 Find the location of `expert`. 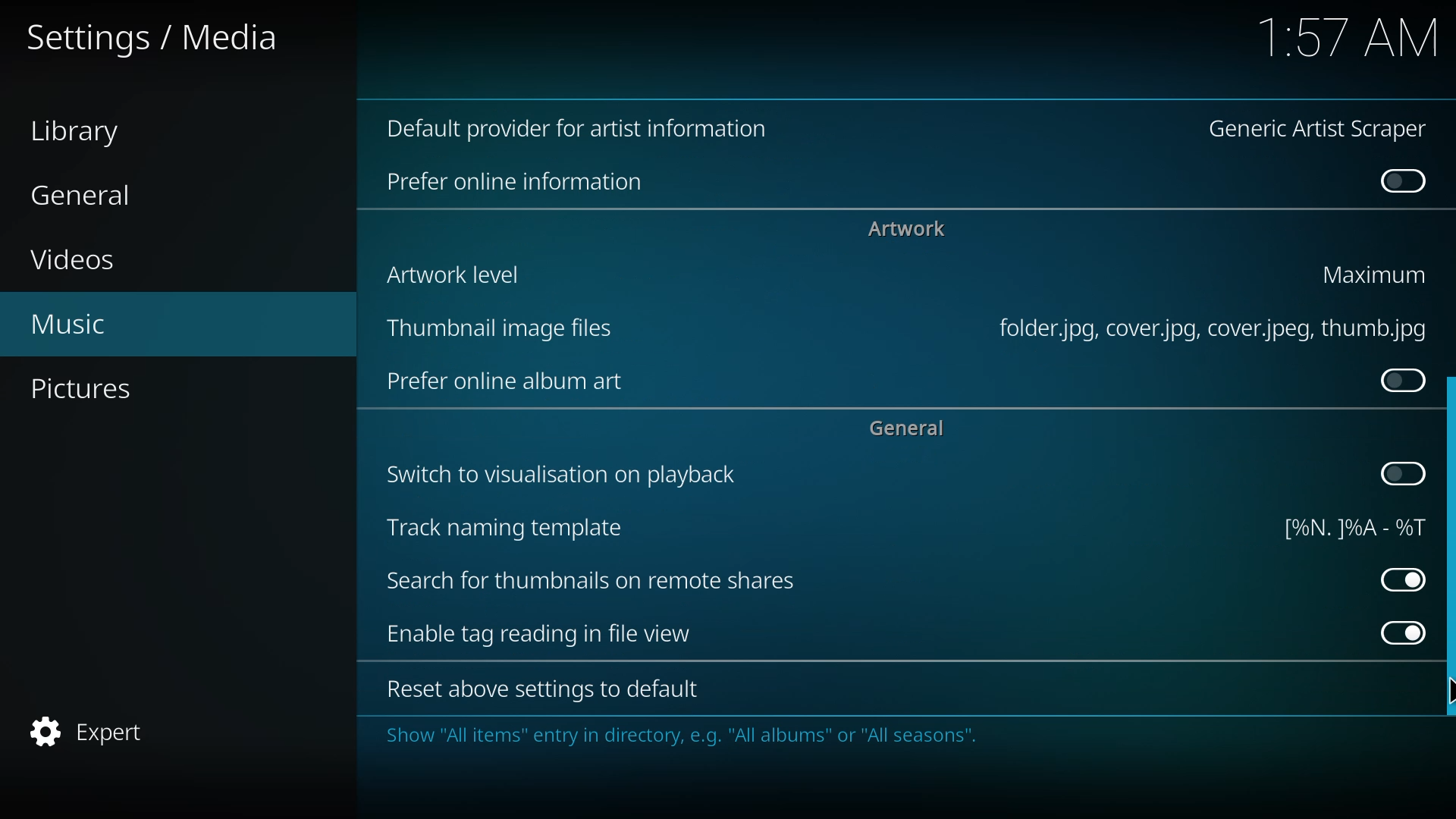

expert is located at coordinates (93, 730).